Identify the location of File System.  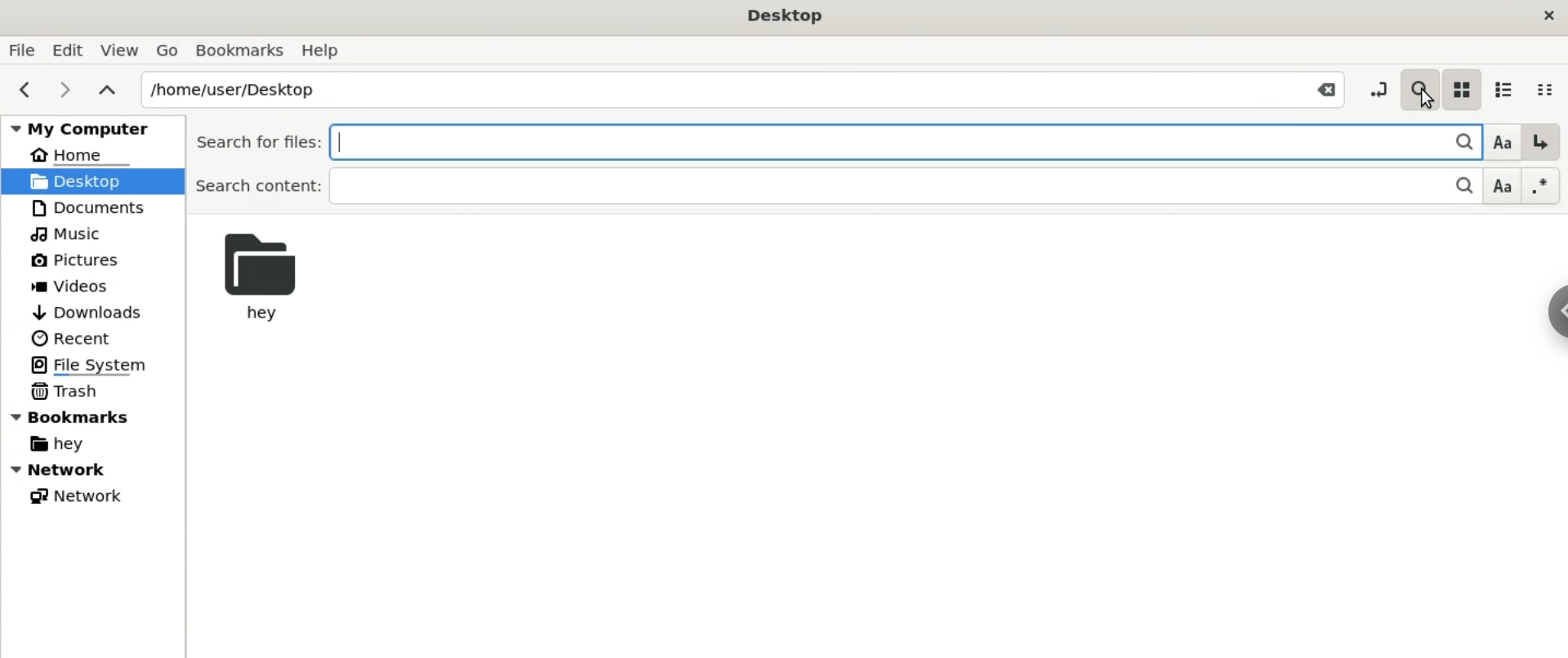
(84, 365).